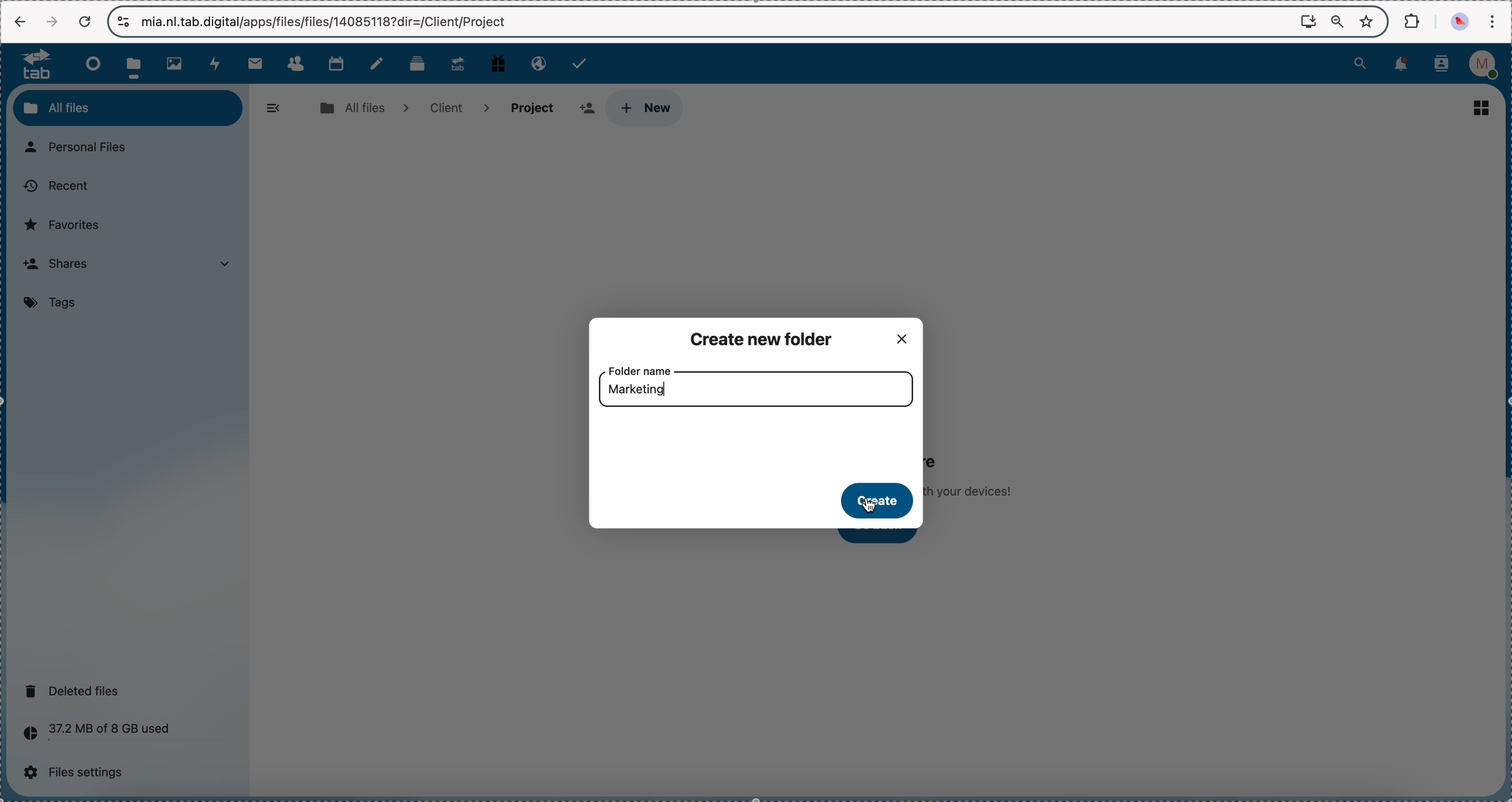 This screenshot has width=1512, height=802. What do you see at coordinates (362, 107) in the screenshot?
I see `all files` at bounding box center [362, 107].